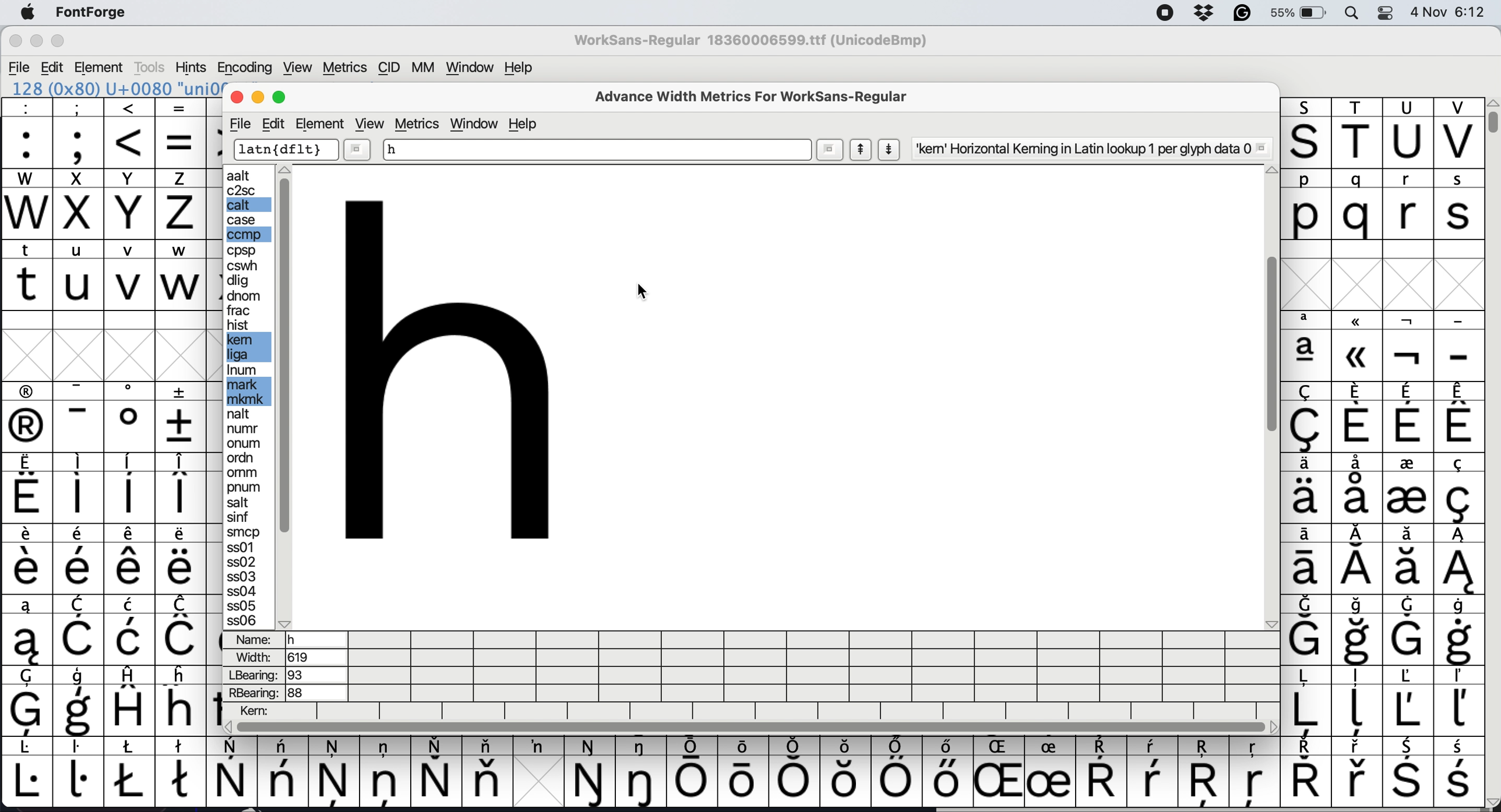 The image size is (1501, 812). What do you see at coordinates (115, 89) in the screenshot?
I see `128 (Ox80) U+0080 'uni0` at bounding box center [115, 89].